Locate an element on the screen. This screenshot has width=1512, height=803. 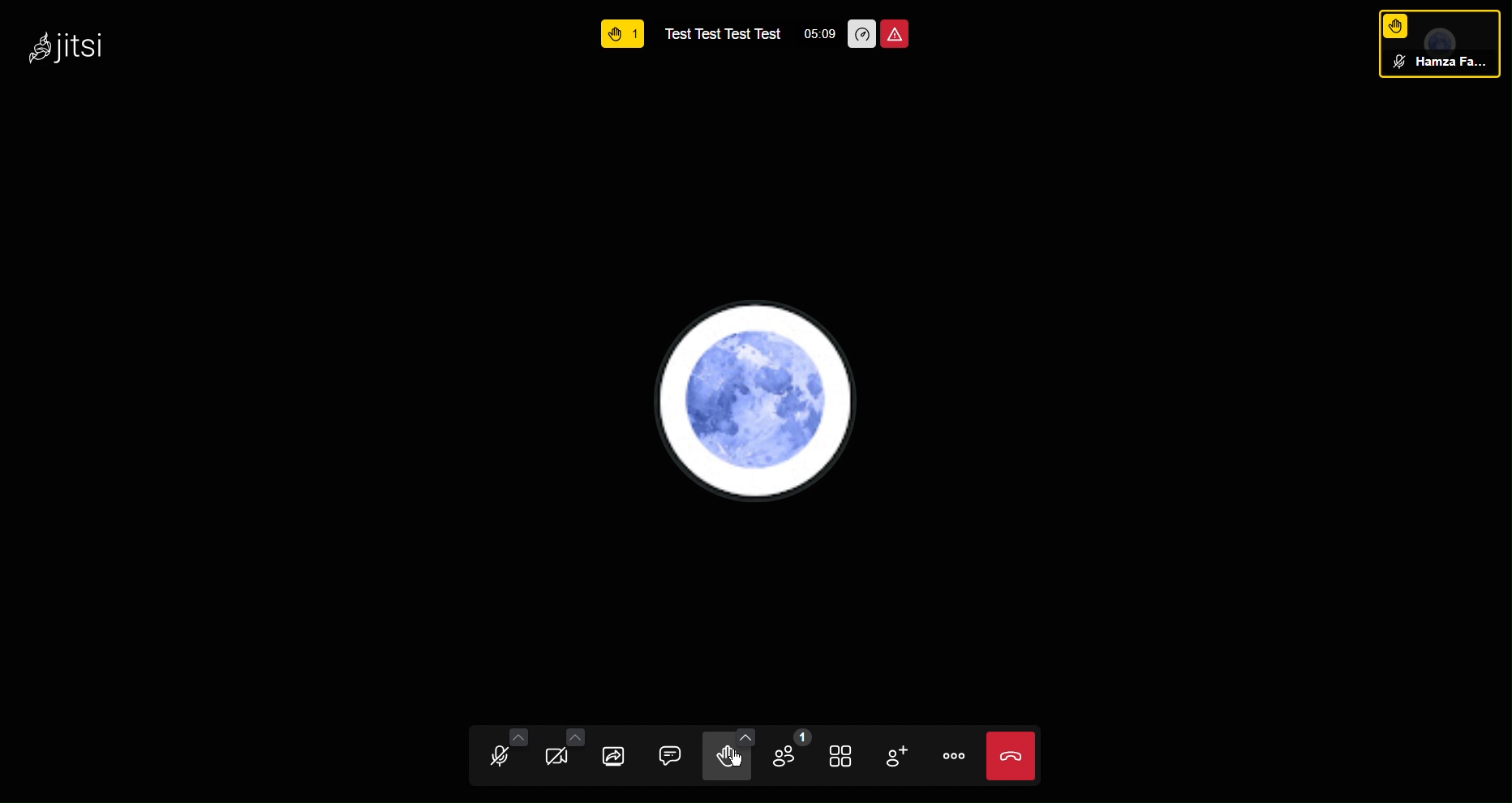
Comments is located at coordinates (674, 753).